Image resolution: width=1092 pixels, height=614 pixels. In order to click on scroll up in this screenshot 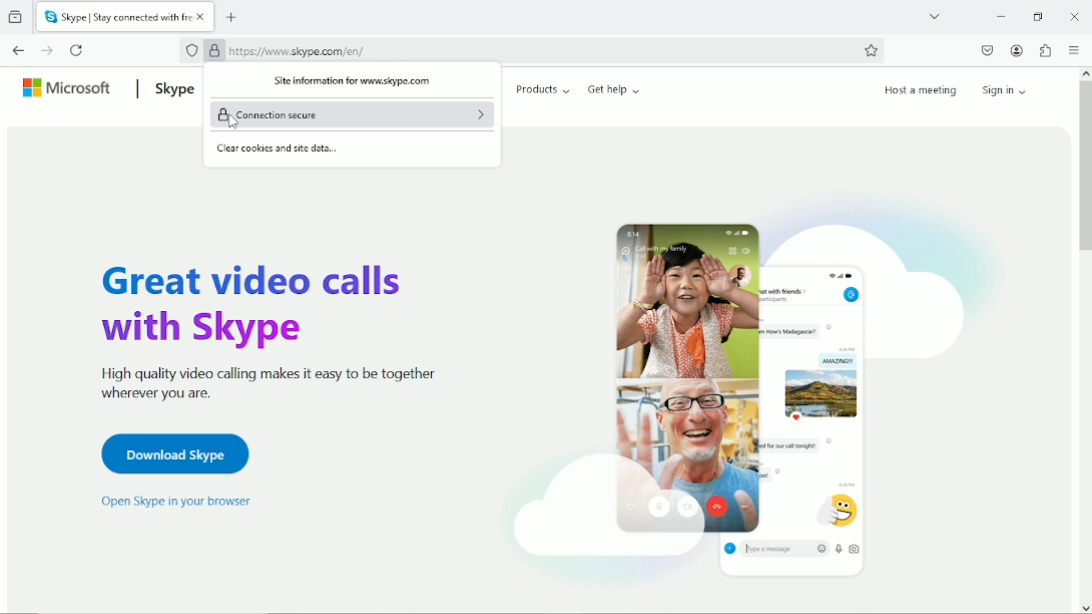, I will do `click(1084, 71)`.